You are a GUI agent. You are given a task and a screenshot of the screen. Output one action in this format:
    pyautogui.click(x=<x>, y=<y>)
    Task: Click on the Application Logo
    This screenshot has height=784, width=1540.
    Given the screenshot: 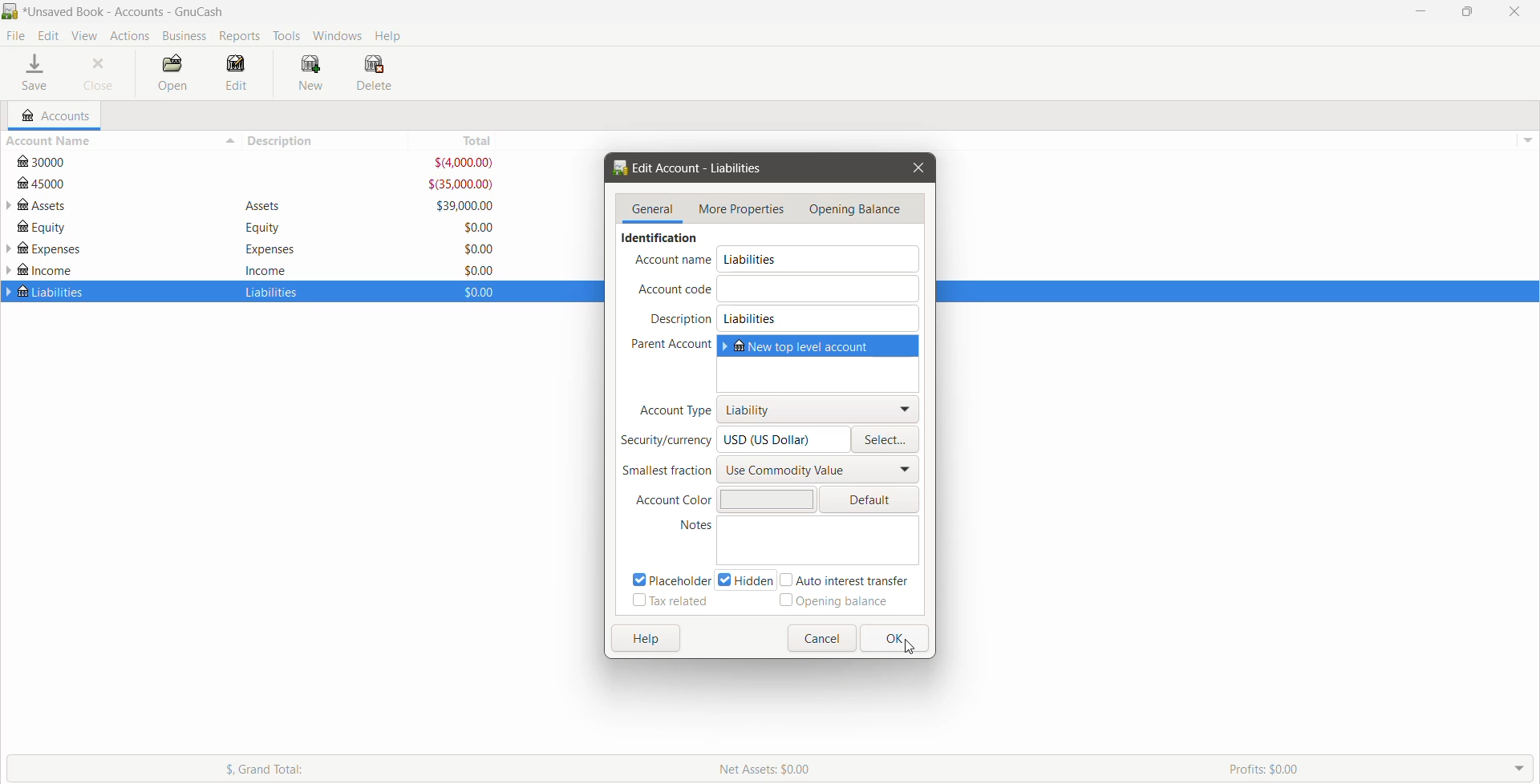 What is the action you would take?
    pyautogui.click(x=10, y=12)
    